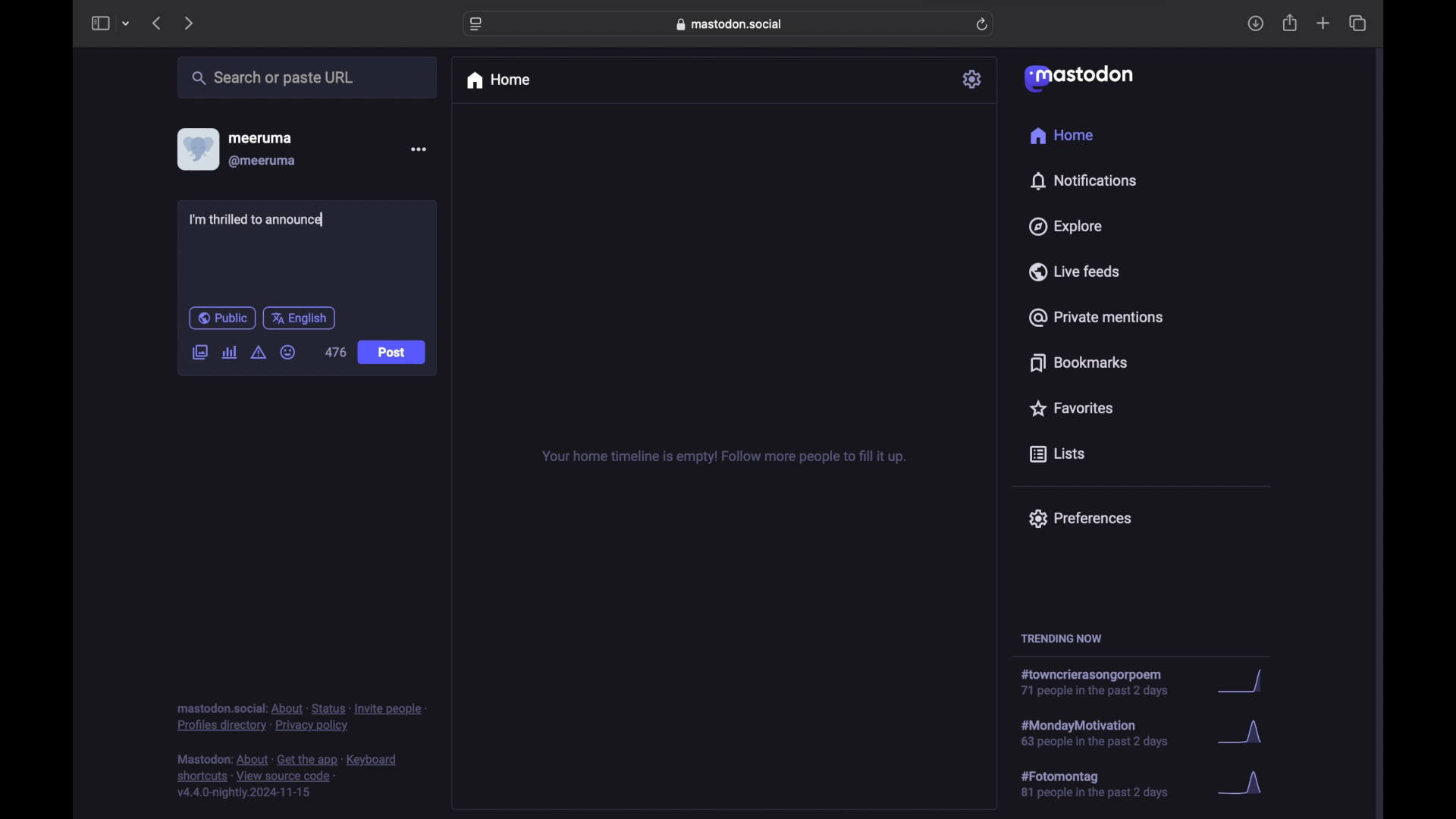 This screenshot has height=819, width=1456. Describe the element at coordinates (973, 79) in the screenshot. I see `settings` at that location.